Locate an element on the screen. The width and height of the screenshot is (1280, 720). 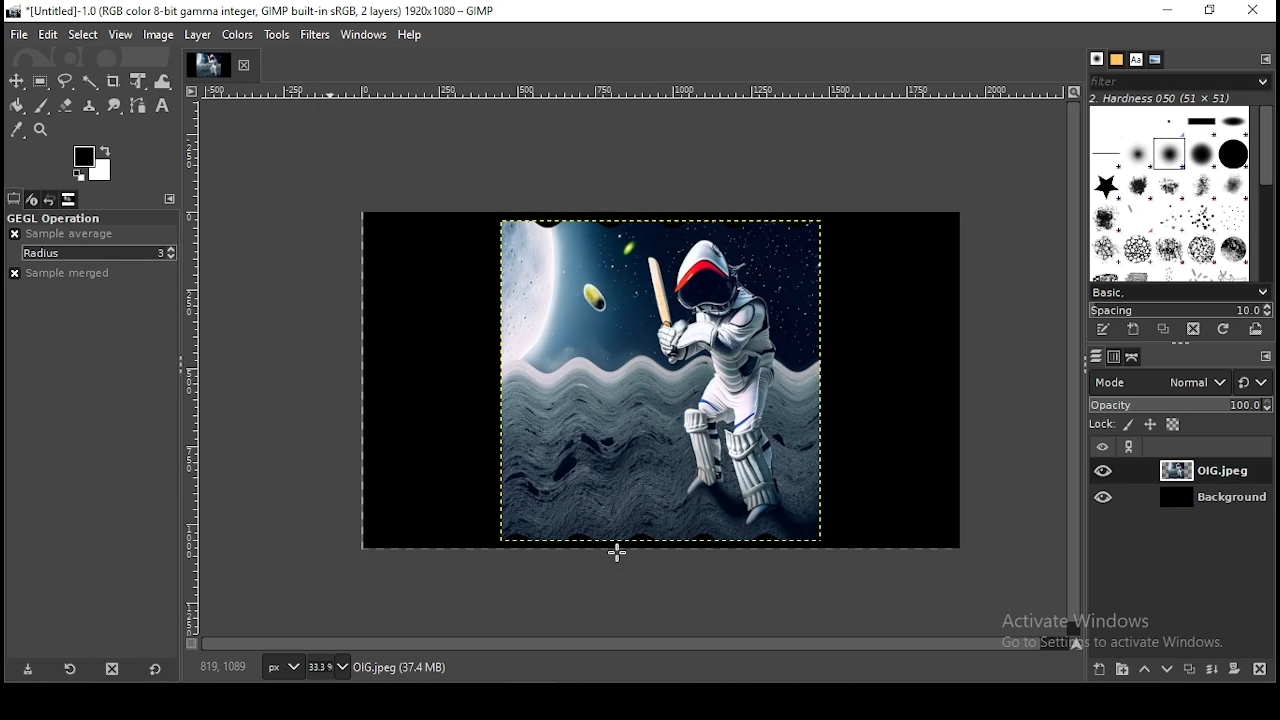
move tool is located at coordinates (18, 82).